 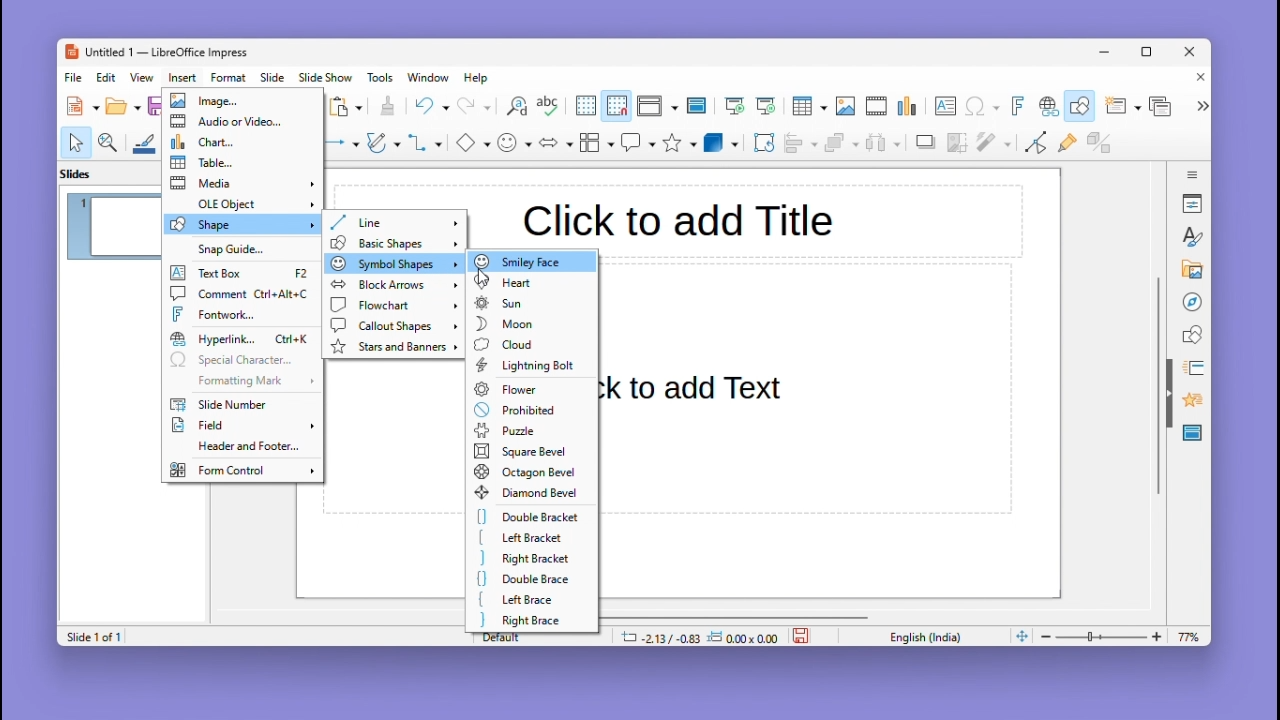 What do you see at coordinates (155, 53) in the screenshot?
I see `File name` at bounding box center [155, 53].